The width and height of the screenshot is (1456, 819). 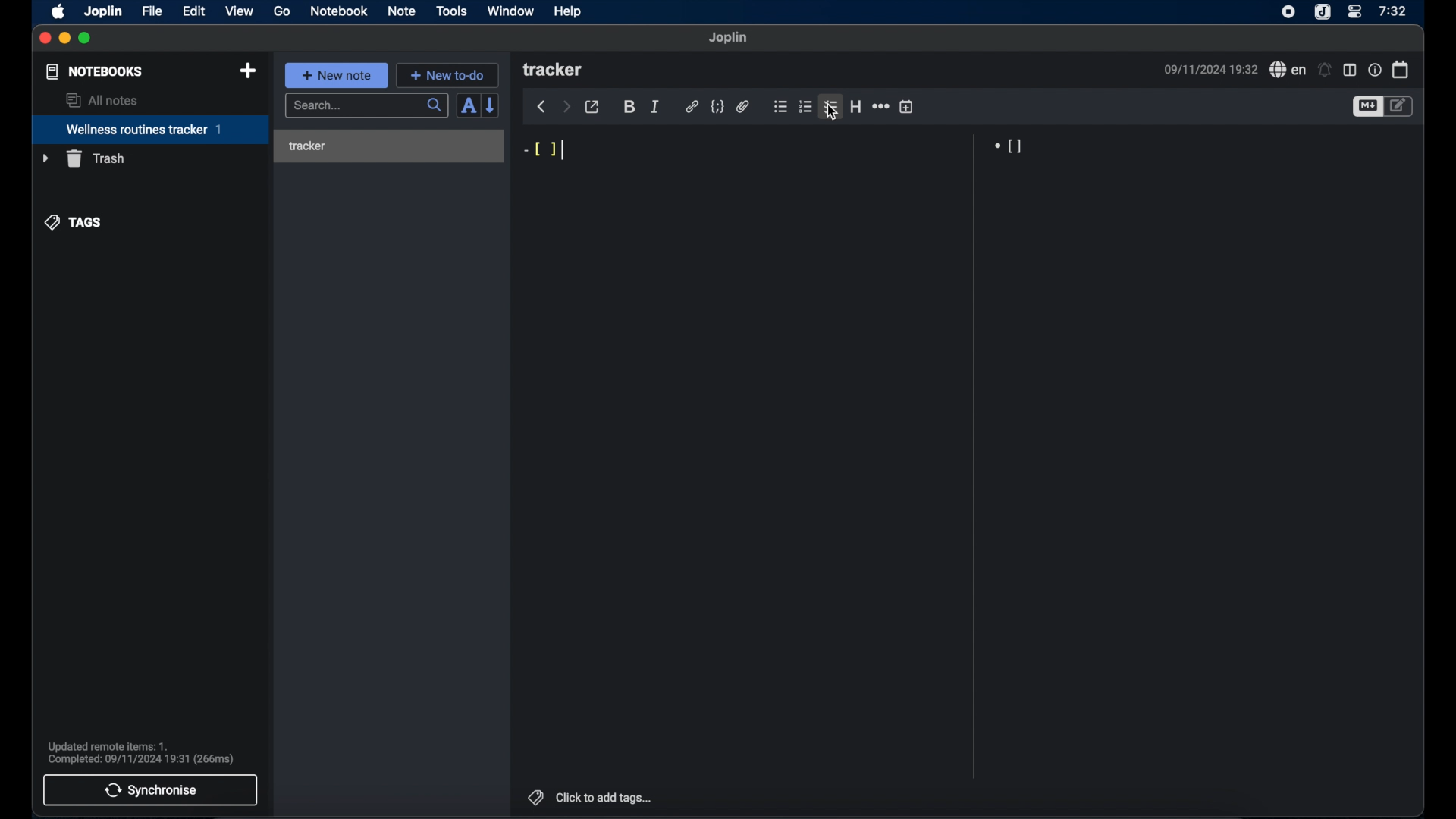 I want to click on view, so click(x=239, y=11).